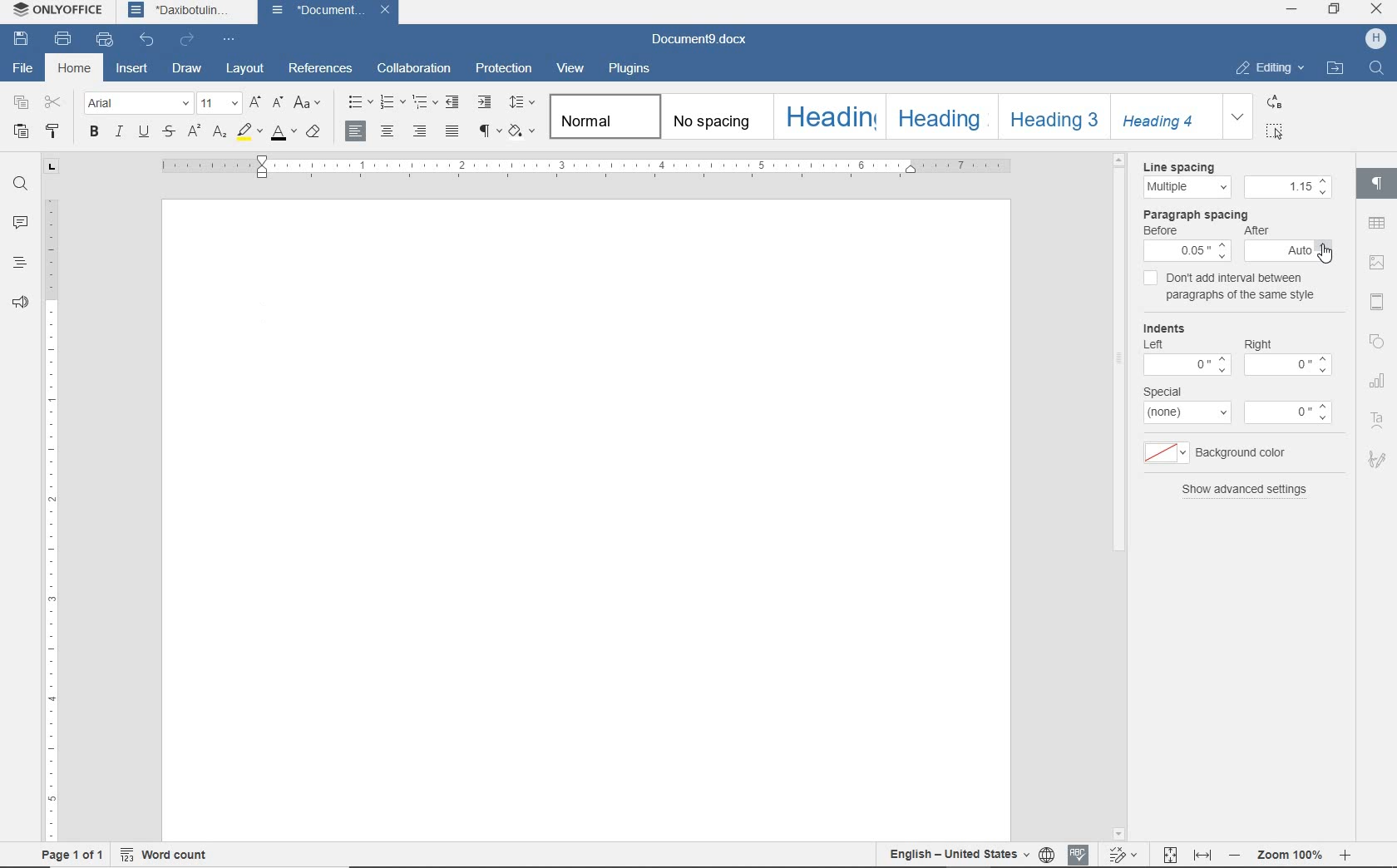  What do you see at coordinates (255, 104) in the screenshot?
I see `increment font size` at bounding box center [255, 104].